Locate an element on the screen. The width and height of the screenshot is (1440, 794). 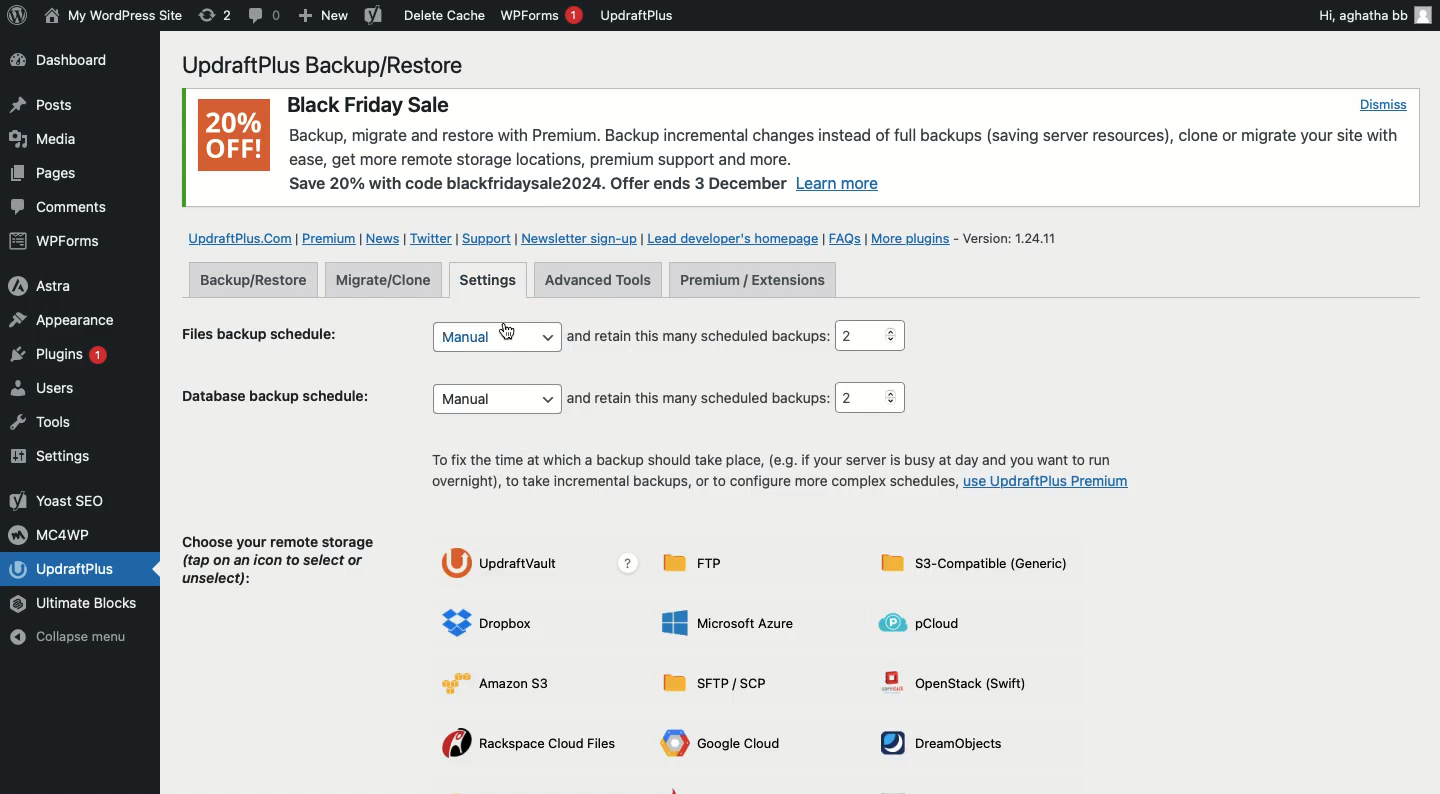
Backup, migrate and restore with Premium. Backup incremental changes instead of full backups (saving server resources), clone or migrate your site withease, get more remote storage locations, premium support and more. Save 20% with code blackfridaysale2024. Offer ends 3 December Learn more is located at coordinates (849, 161).